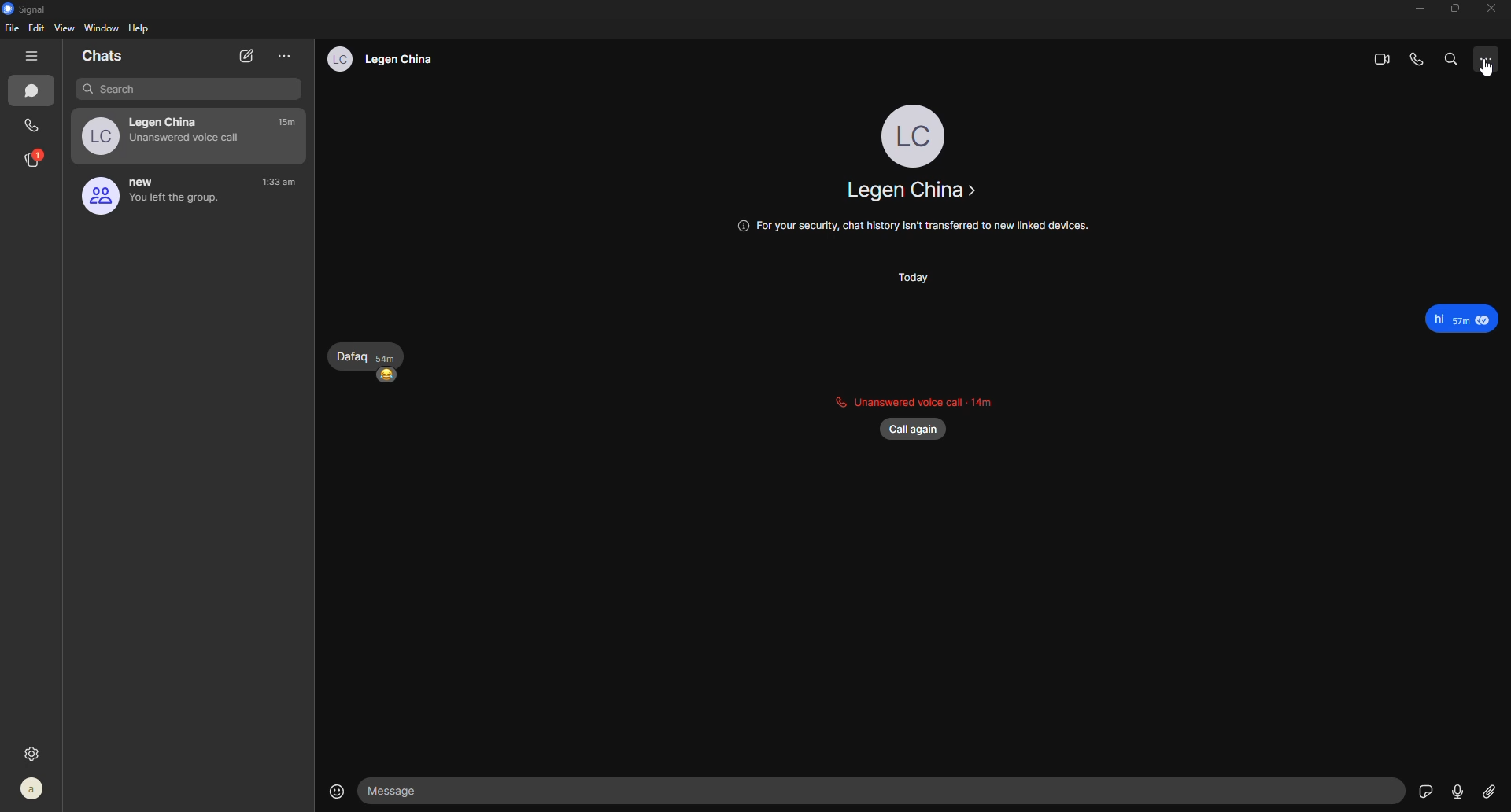  Describe the element at coordinates (281, 183) in the screenshot. I see `time` at that location.